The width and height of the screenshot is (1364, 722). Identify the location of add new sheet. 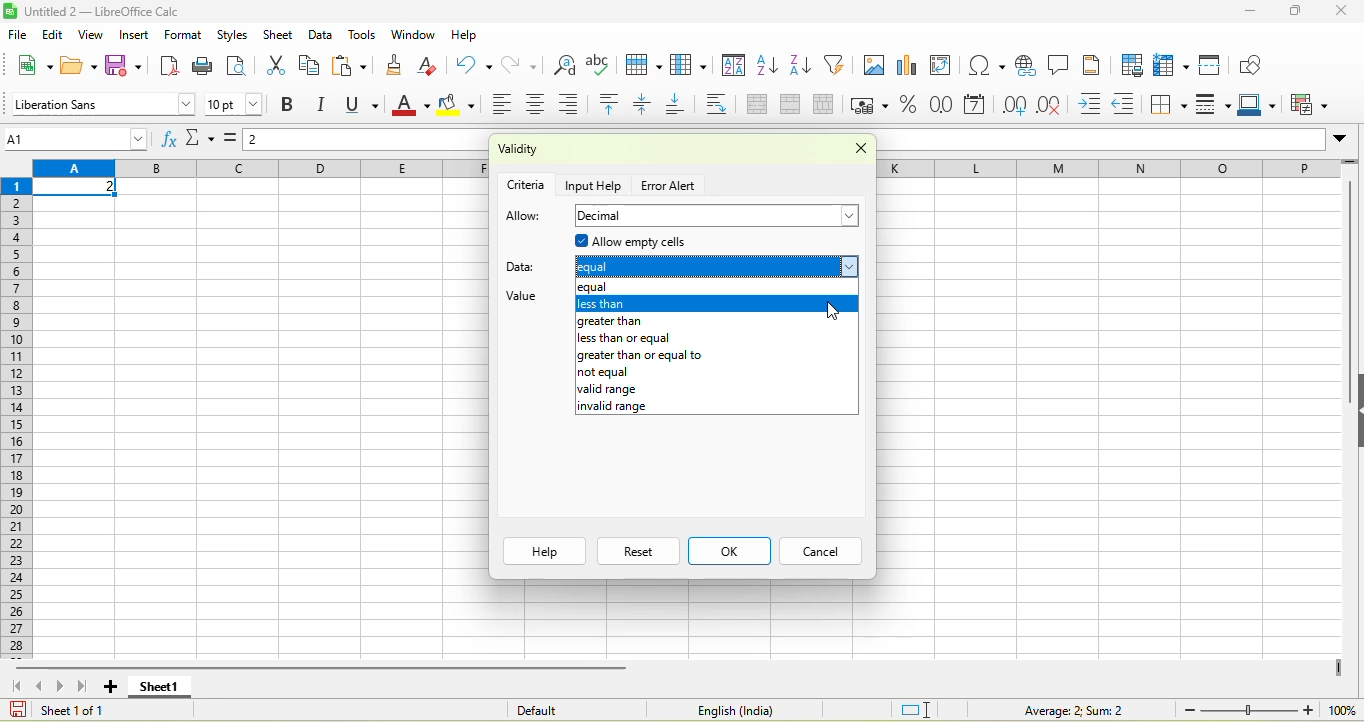
(110, 687).